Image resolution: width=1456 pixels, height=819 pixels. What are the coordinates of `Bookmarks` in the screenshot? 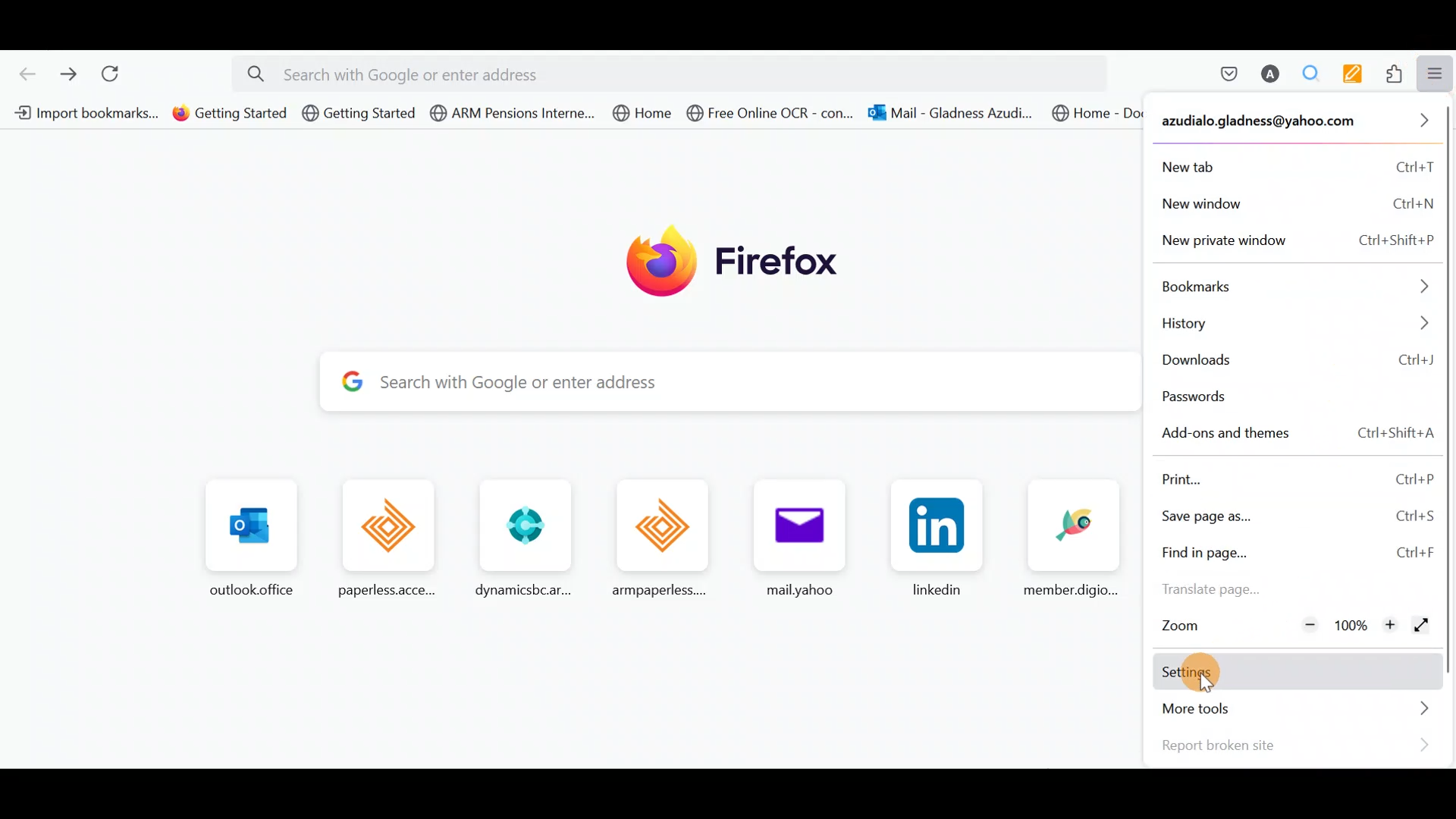 It's located at (1291, 281).